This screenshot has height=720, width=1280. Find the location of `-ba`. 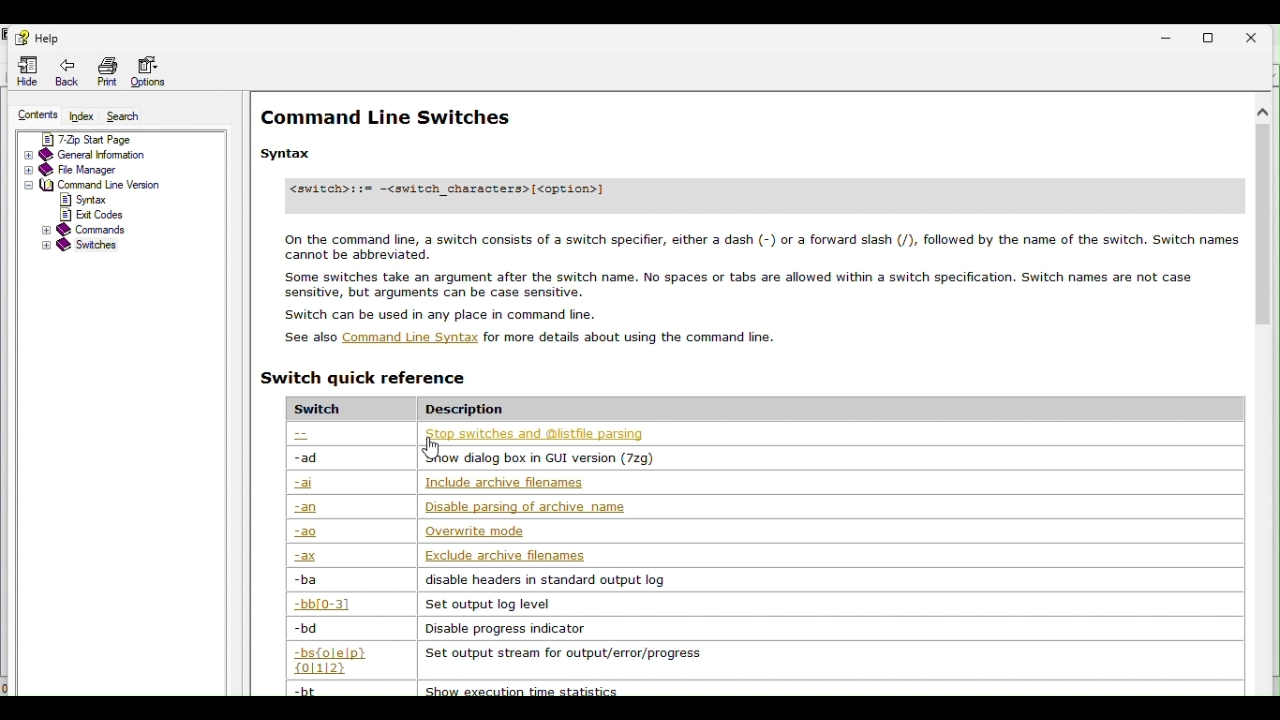

-ba is located at coordinates (311, 577).